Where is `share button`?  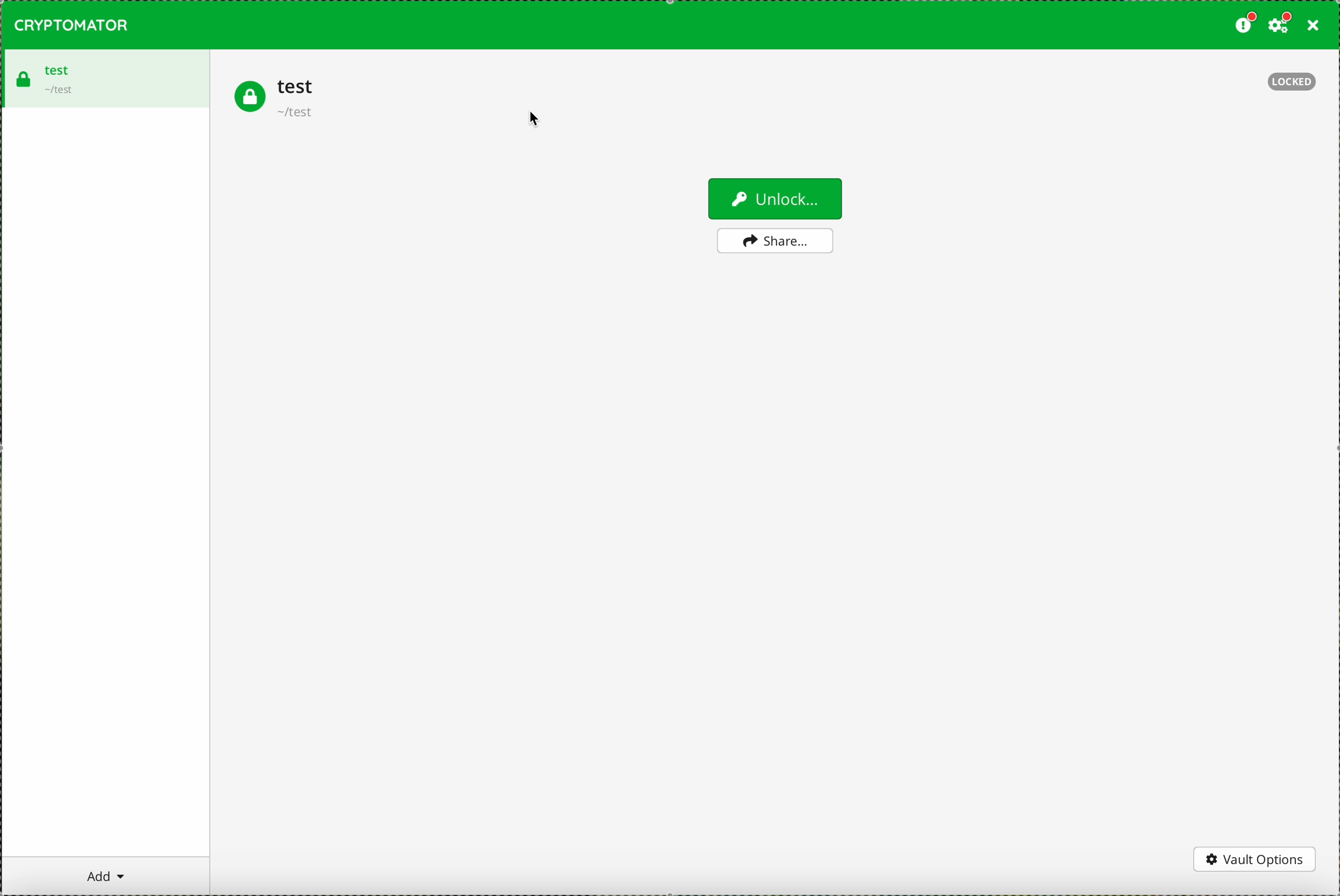
share button is located at coordinates (775, 241).